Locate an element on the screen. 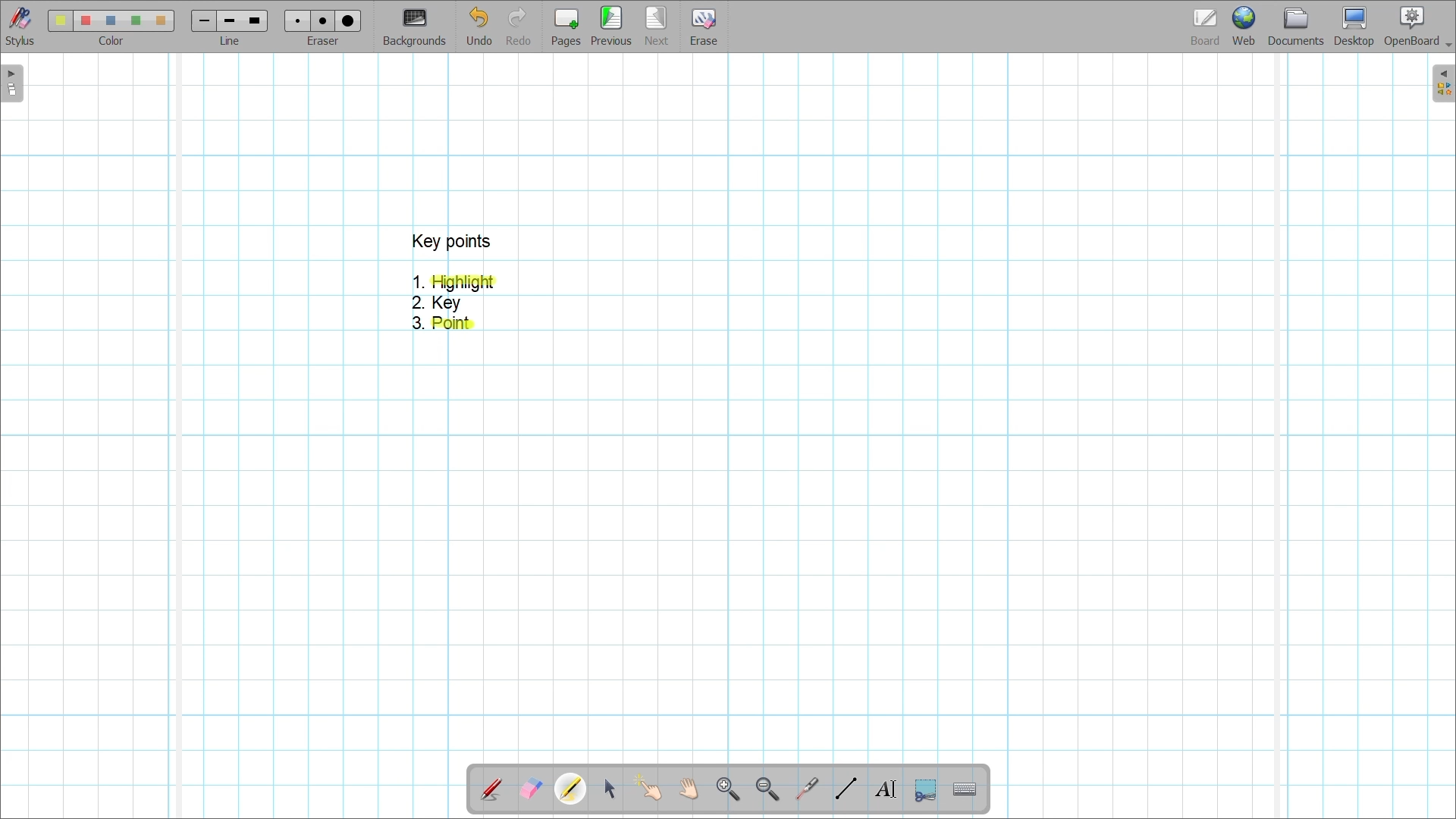 This screenshot has width=1456, height=819. color5 is located at coordinates (159, 21).